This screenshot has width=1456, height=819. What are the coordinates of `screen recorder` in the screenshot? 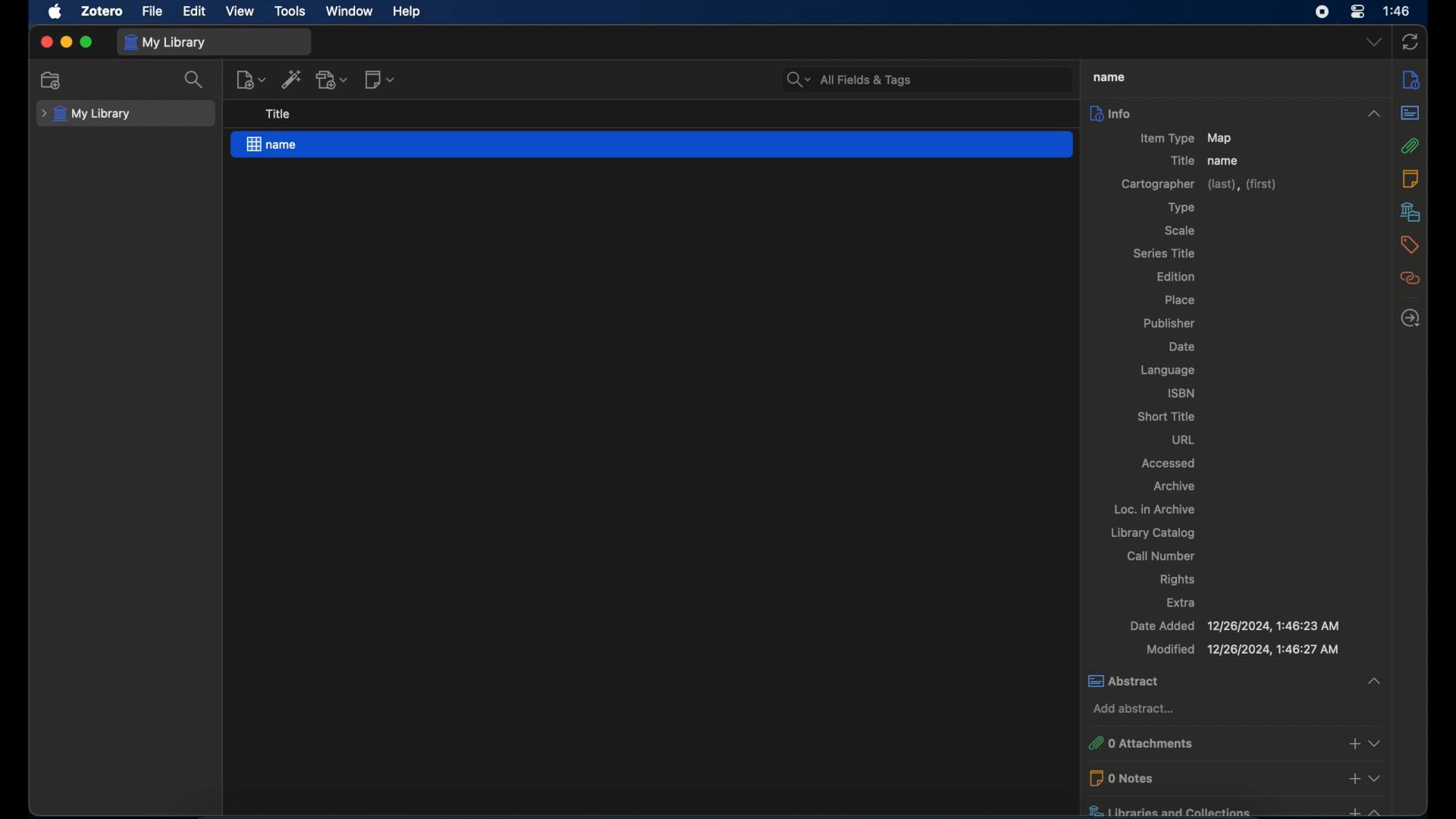 It's located at (1323, 12).